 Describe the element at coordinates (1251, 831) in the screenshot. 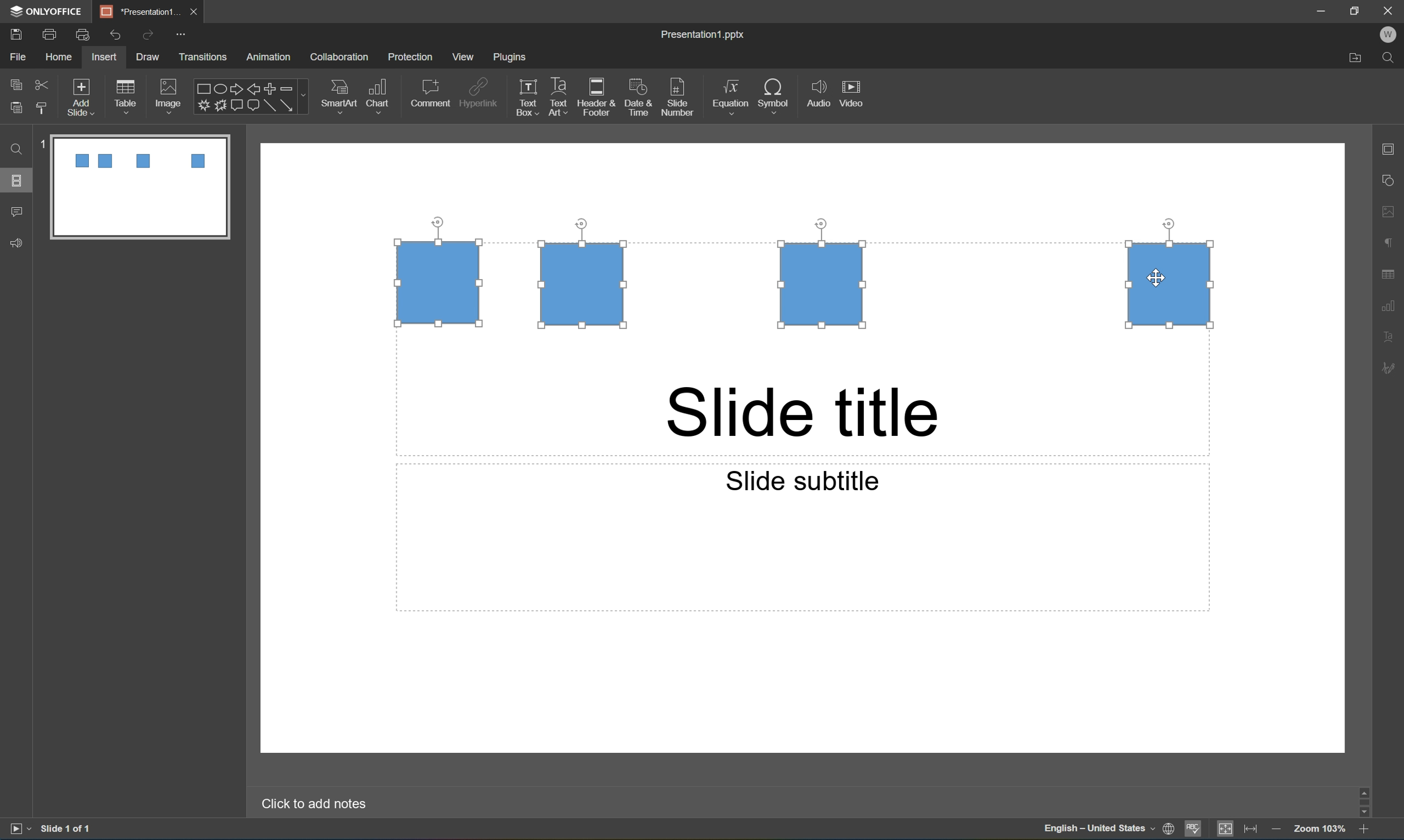

I see `fit to width` at that location.